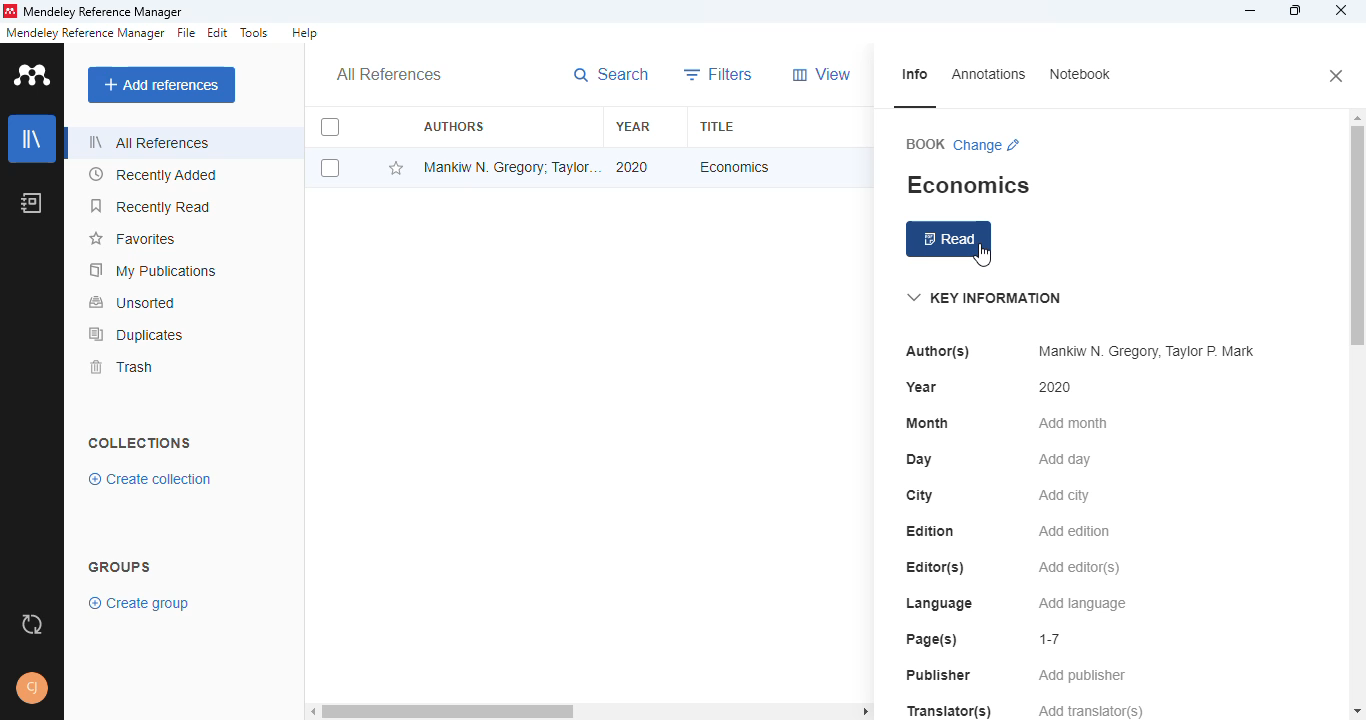  Describe the element at coordinates (1080, 75) in the screenshot. I see `notebook` at that location.